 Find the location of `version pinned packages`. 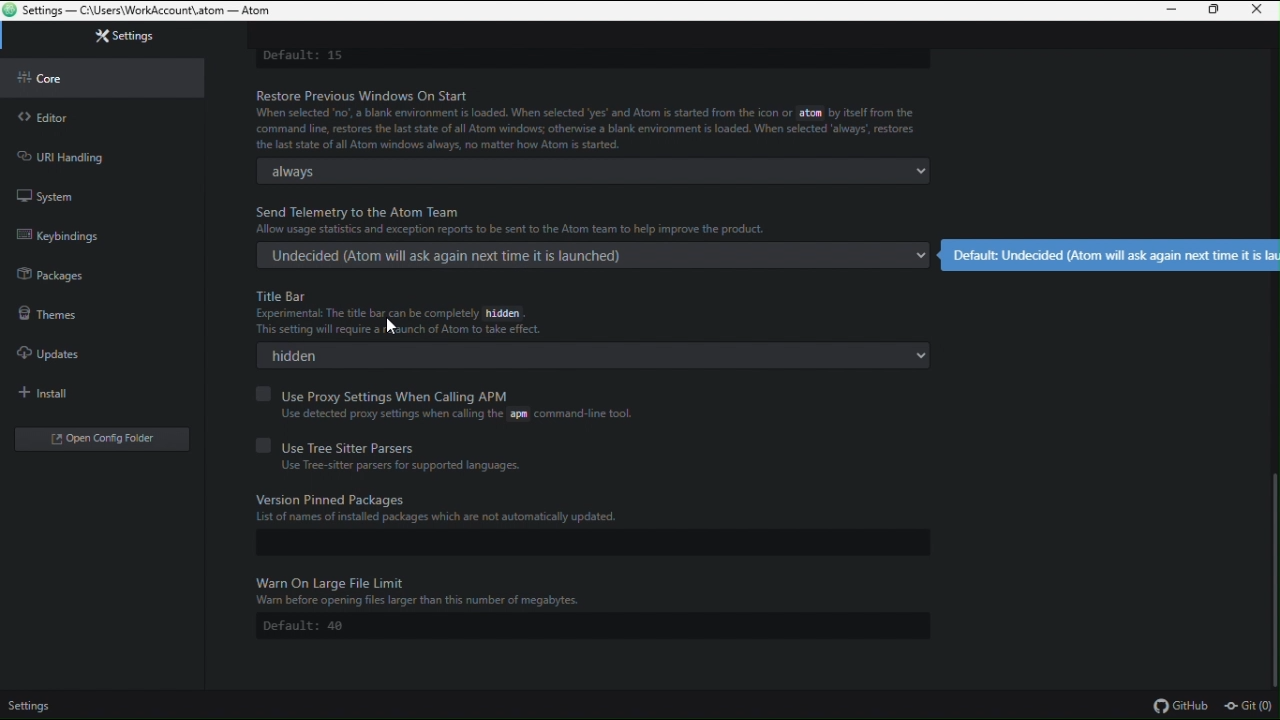

version pinned packages is located at coordinates (584, 514).